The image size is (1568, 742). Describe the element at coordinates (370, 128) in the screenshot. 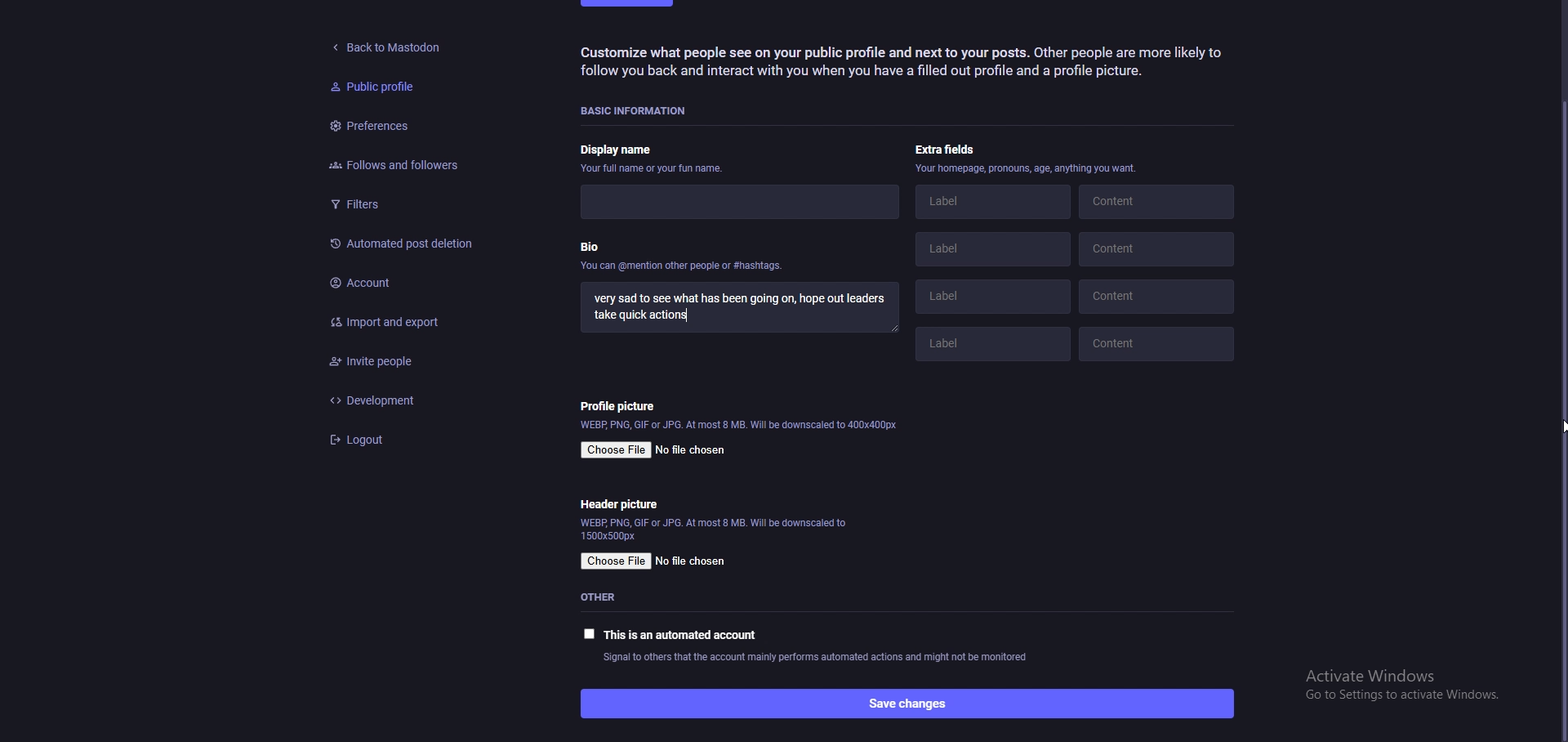

I see `Preferences` at that location.